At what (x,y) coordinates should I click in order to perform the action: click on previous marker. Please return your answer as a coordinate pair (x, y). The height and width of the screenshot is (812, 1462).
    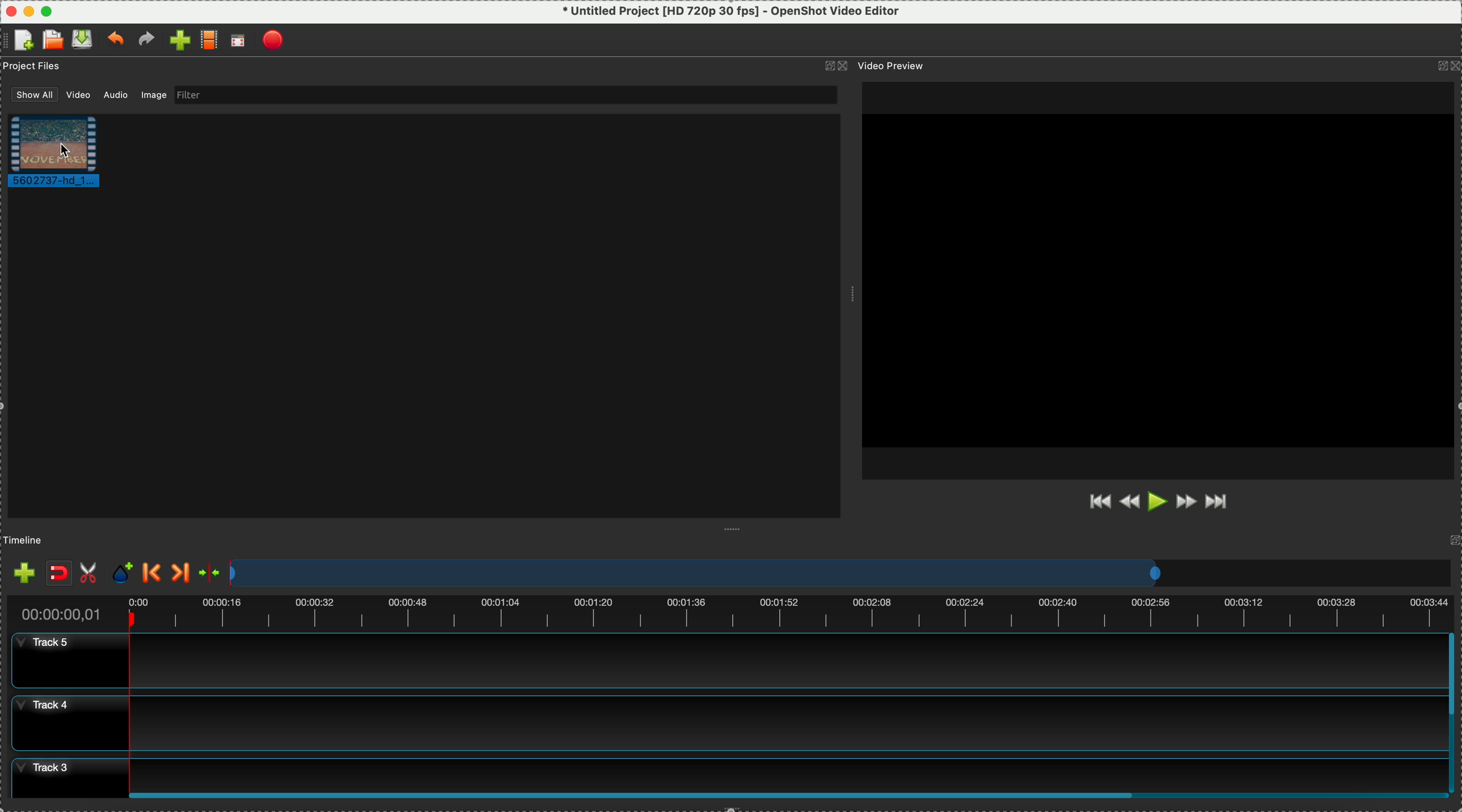
    Looking at the image, I should click on (152, 573).